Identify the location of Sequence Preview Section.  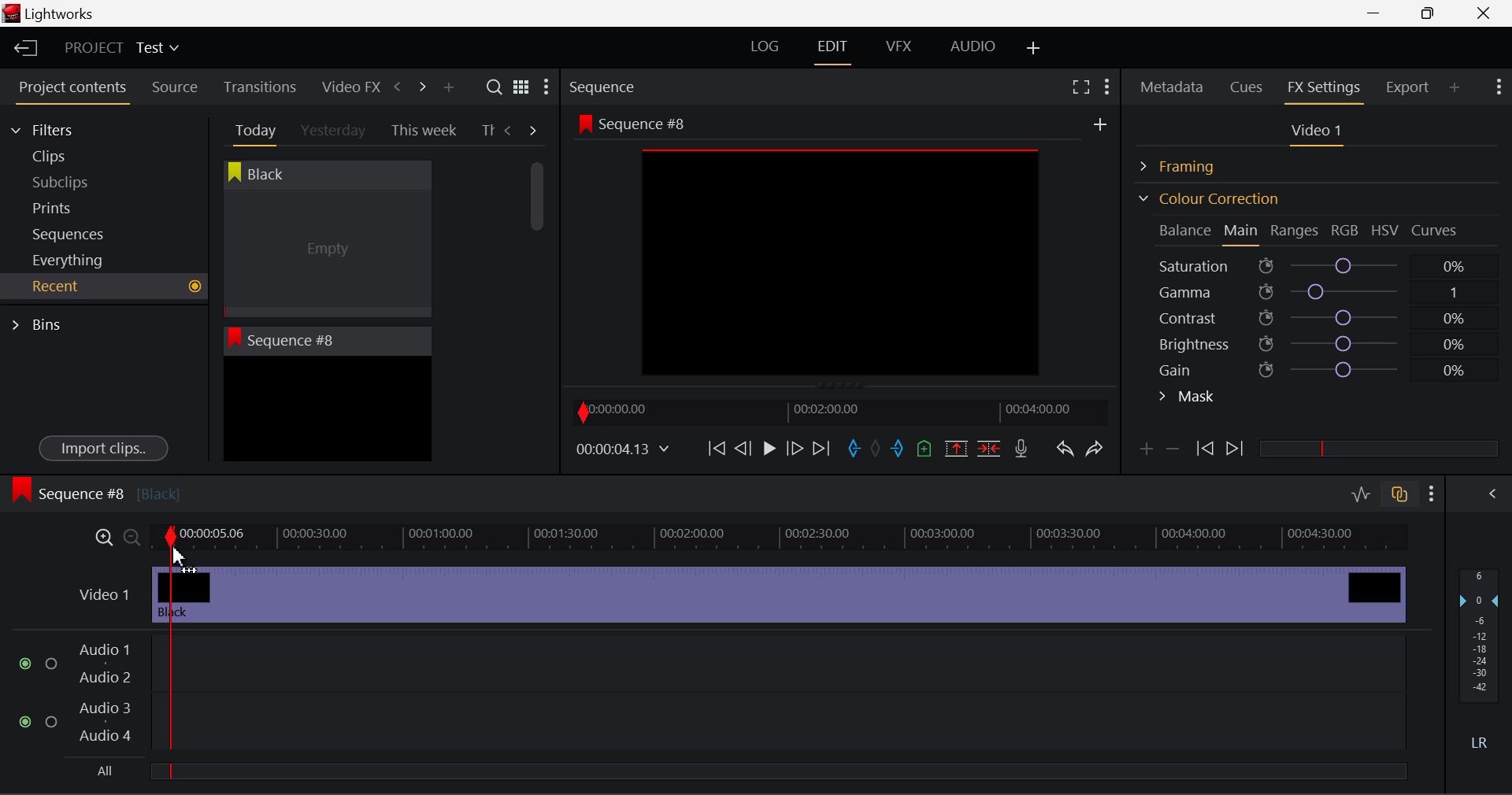
(606, 88).